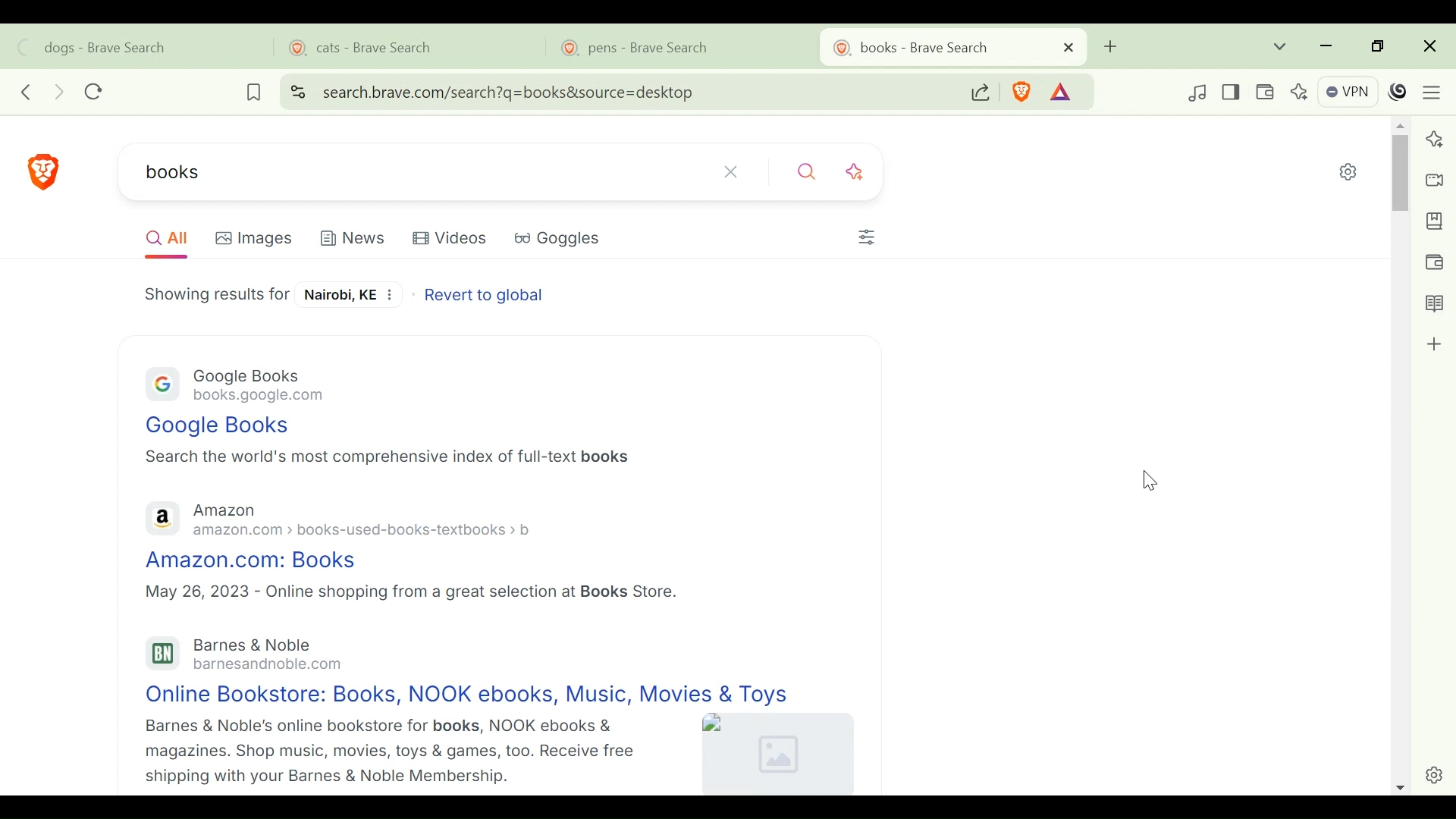 This screenshot has height=819, width=1456. What do you see at coordinates (1399, 127) in the screenshot?
I see `Scroll up` at bounding box center [1399, 127].